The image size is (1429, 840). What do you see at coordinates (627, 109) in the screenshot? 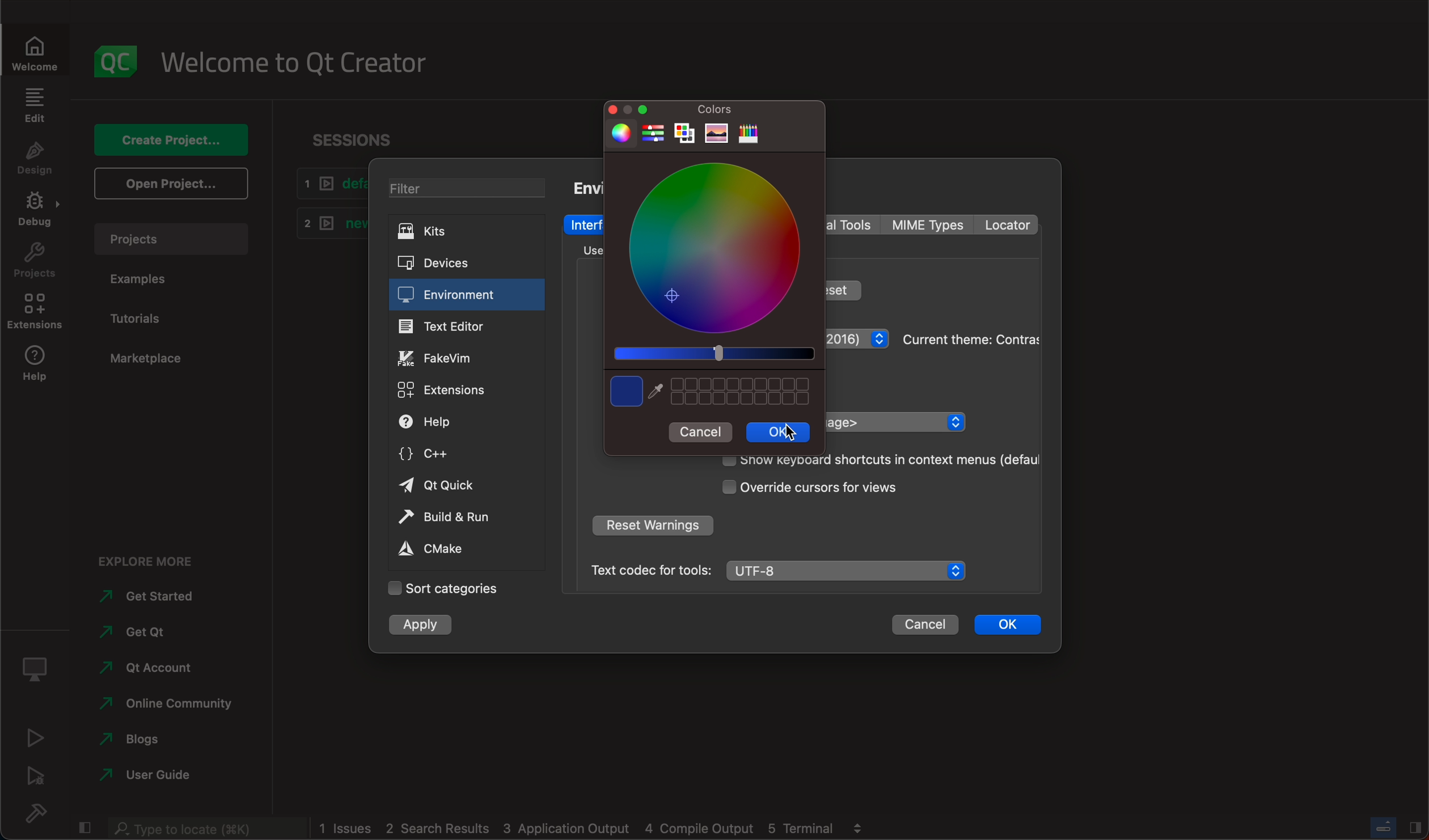
I see `resize` at bounding box center [627, 109].